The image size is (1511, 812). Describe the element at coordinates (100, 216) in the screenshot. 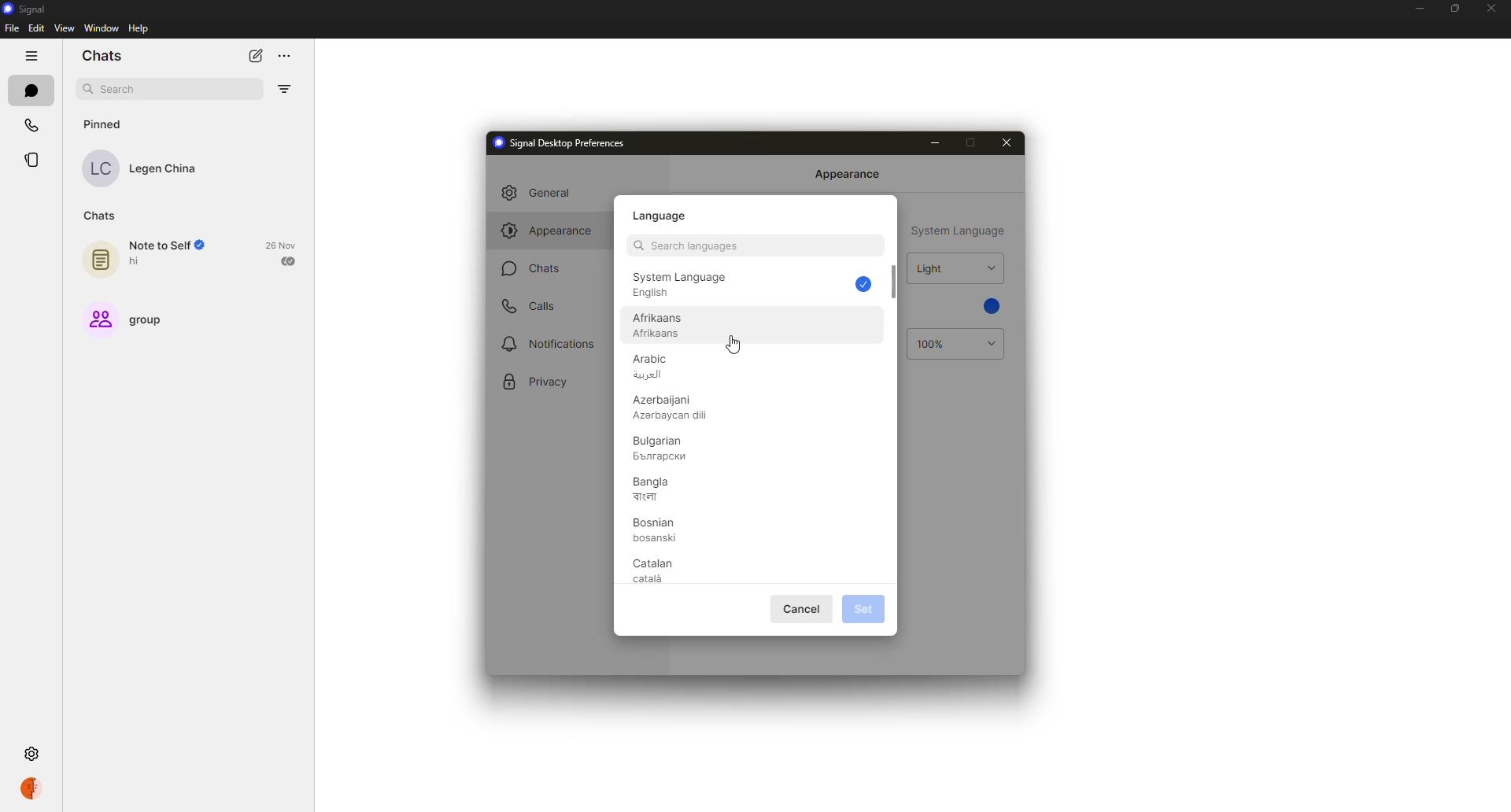

I see `chats` at that location.